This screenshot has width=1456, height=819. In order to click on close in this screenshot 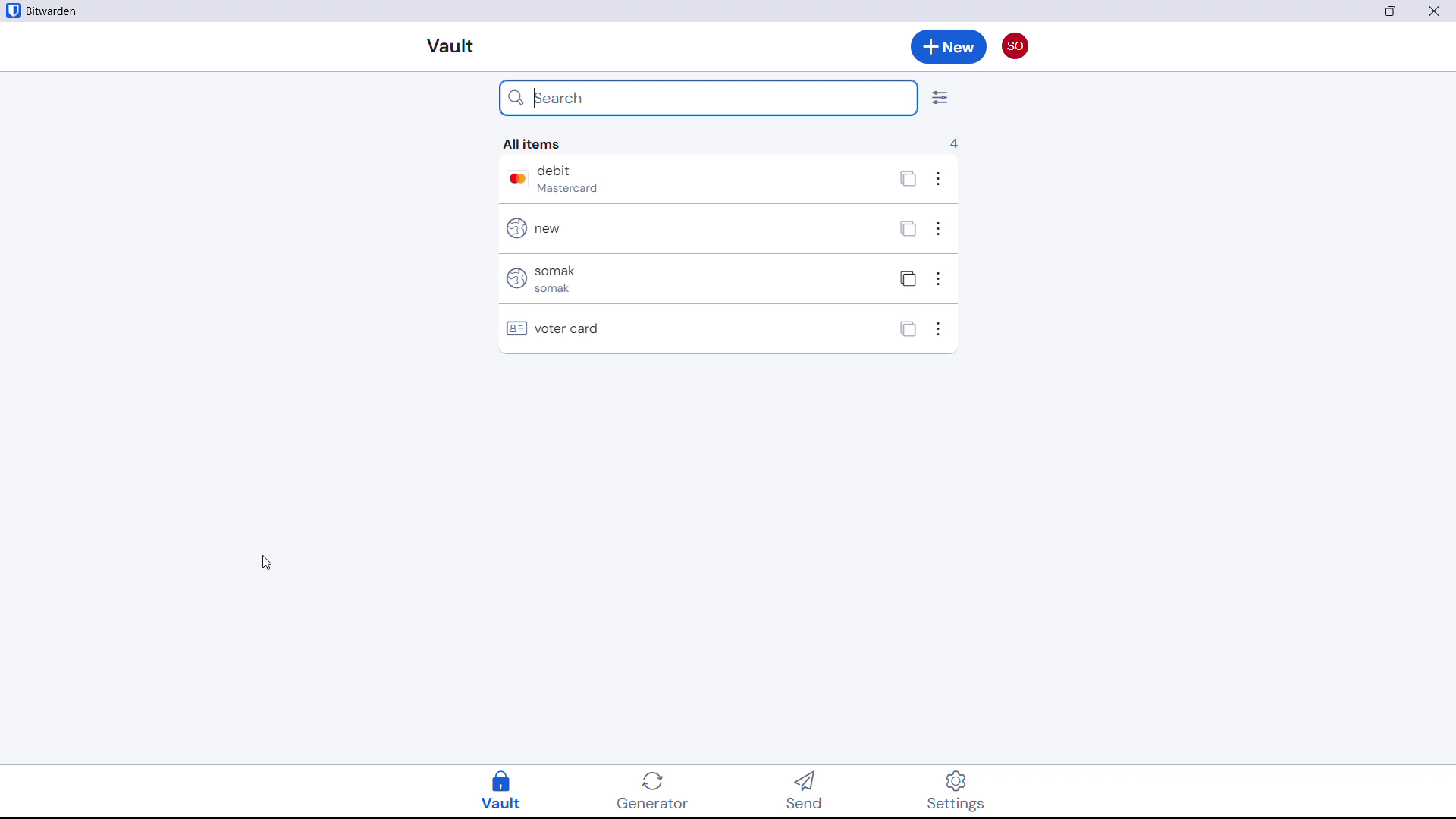, I will do `click(1435, 11)`.